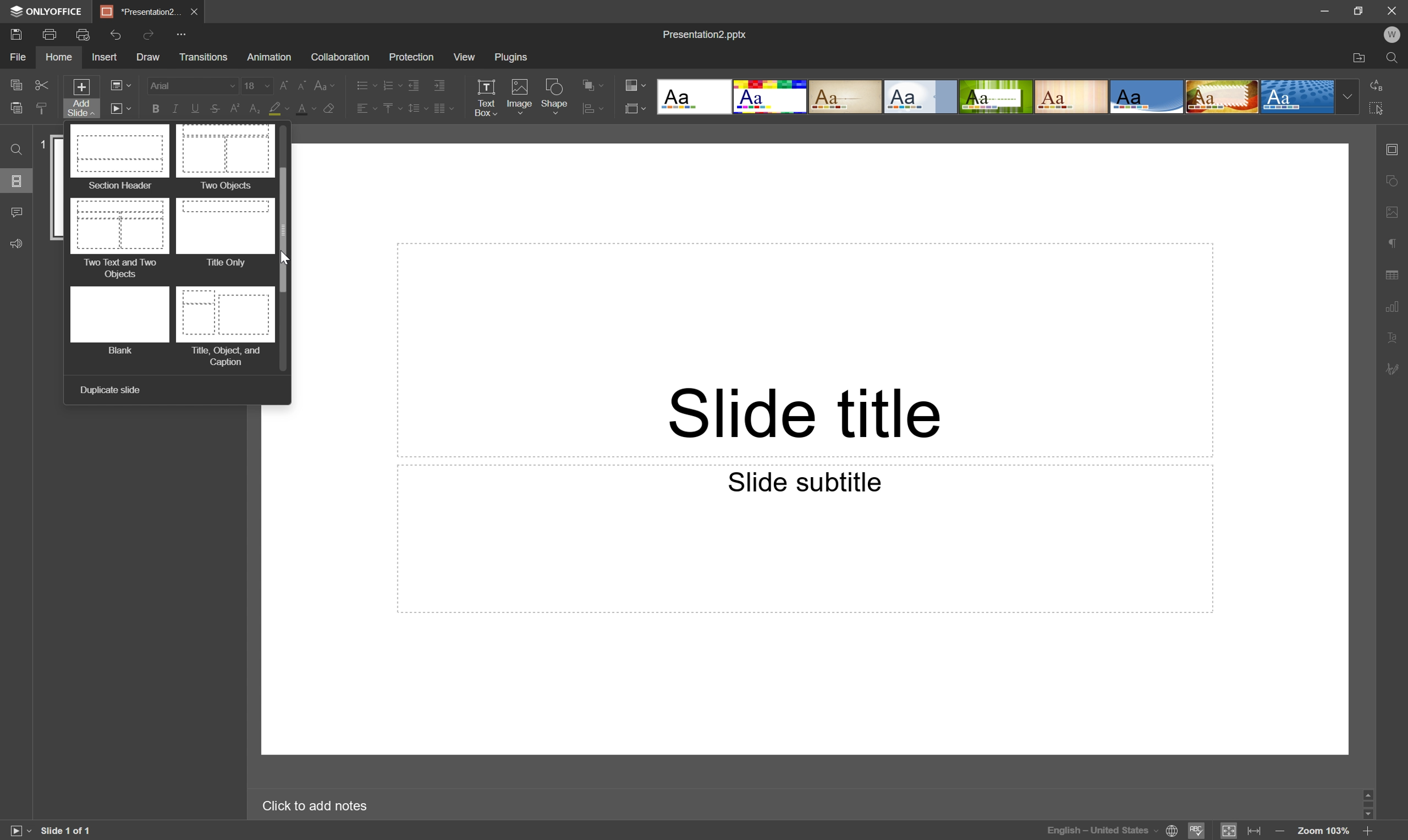 This screenshot has height=840, width=1408. Describe the element at coordinates (18, 182) in the screenshot. I see `Slides` at that location.